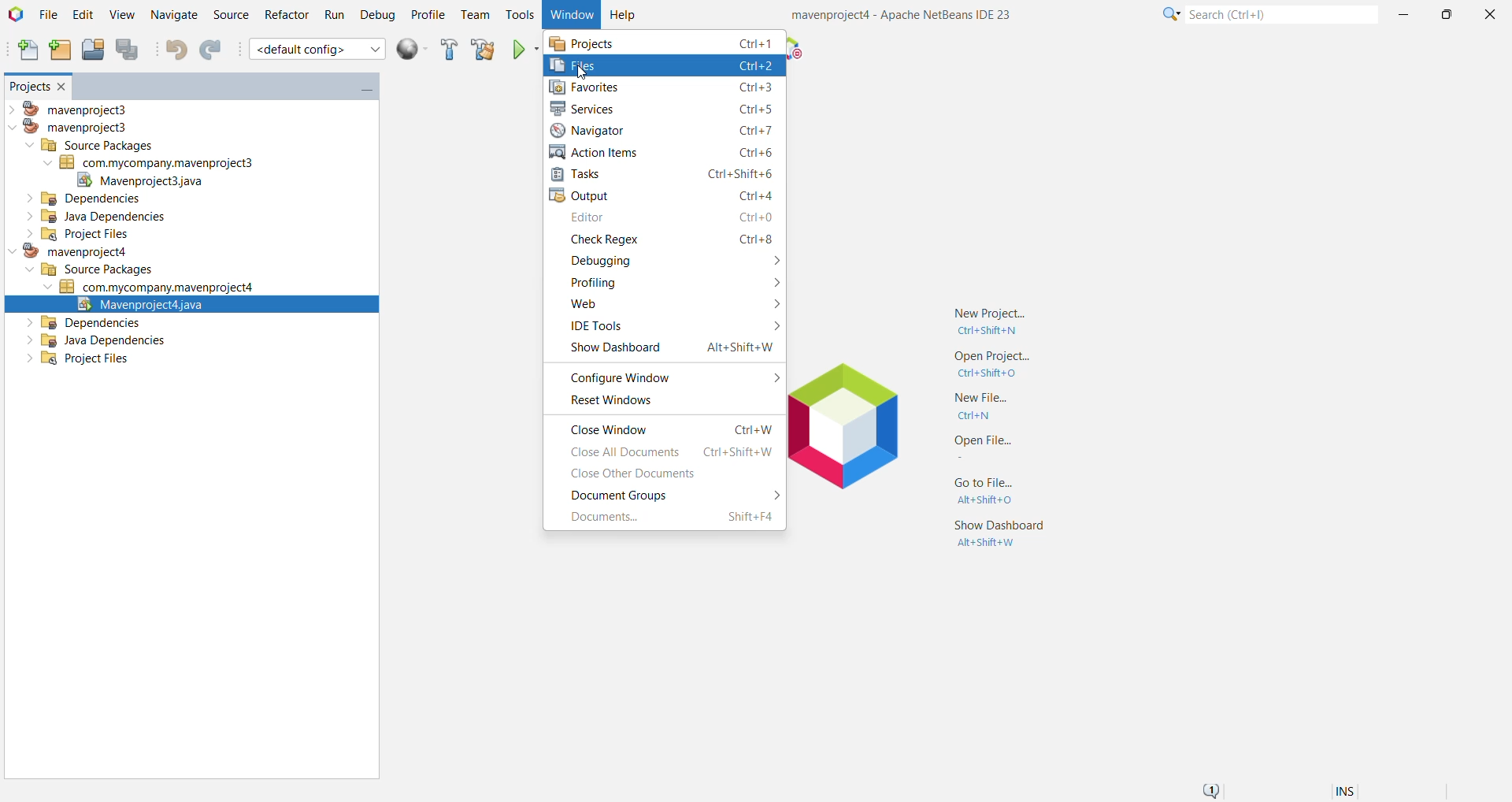 This screenshot has height=802, width=1512. What do you see at coordinates (100, 341) in the screenshot?
I see `Java Dependencies` at bounding box center [100, 341].